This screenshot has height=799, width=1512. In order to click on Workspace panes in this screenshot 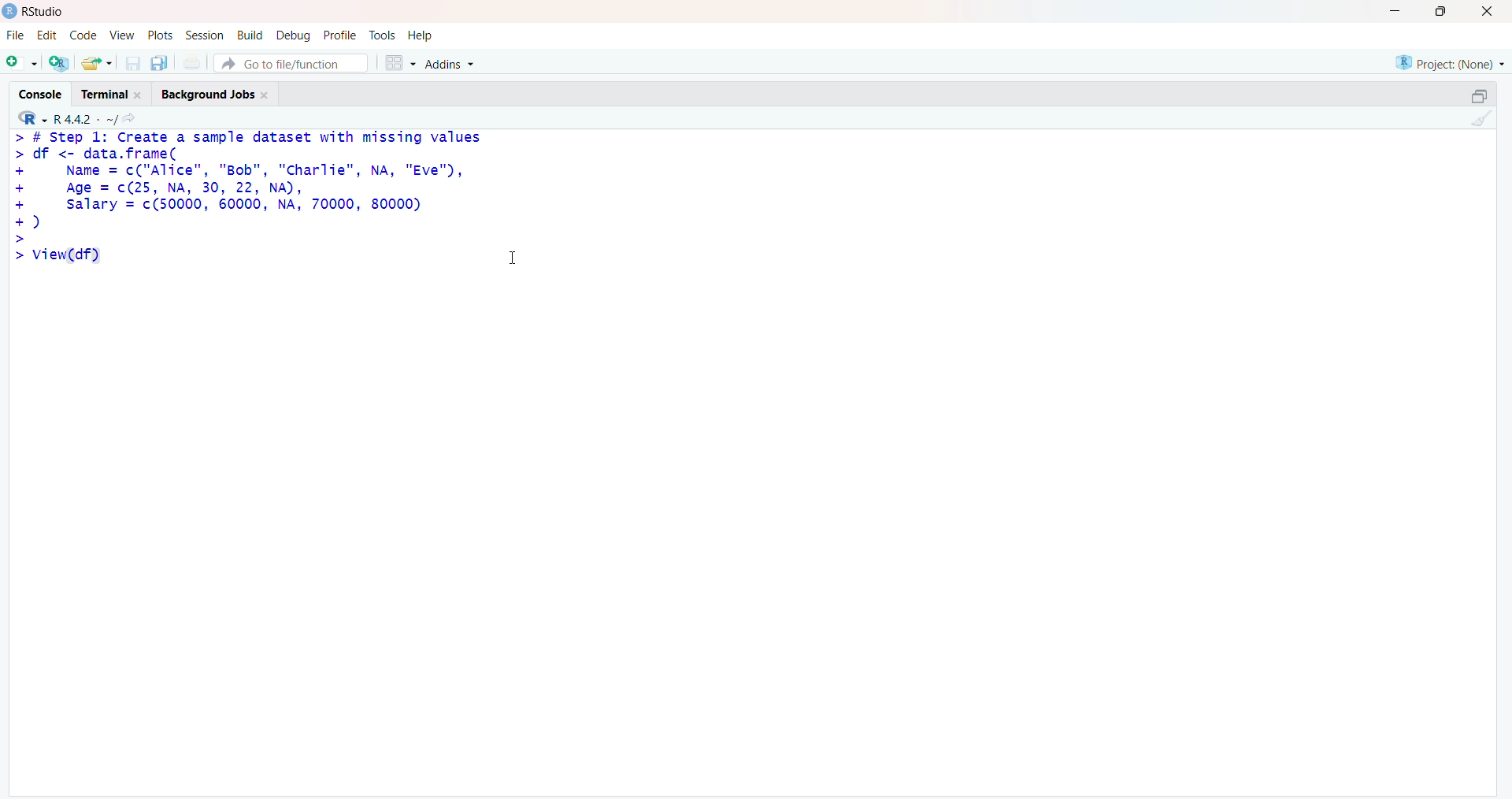, I will do `click(399, 63)`.